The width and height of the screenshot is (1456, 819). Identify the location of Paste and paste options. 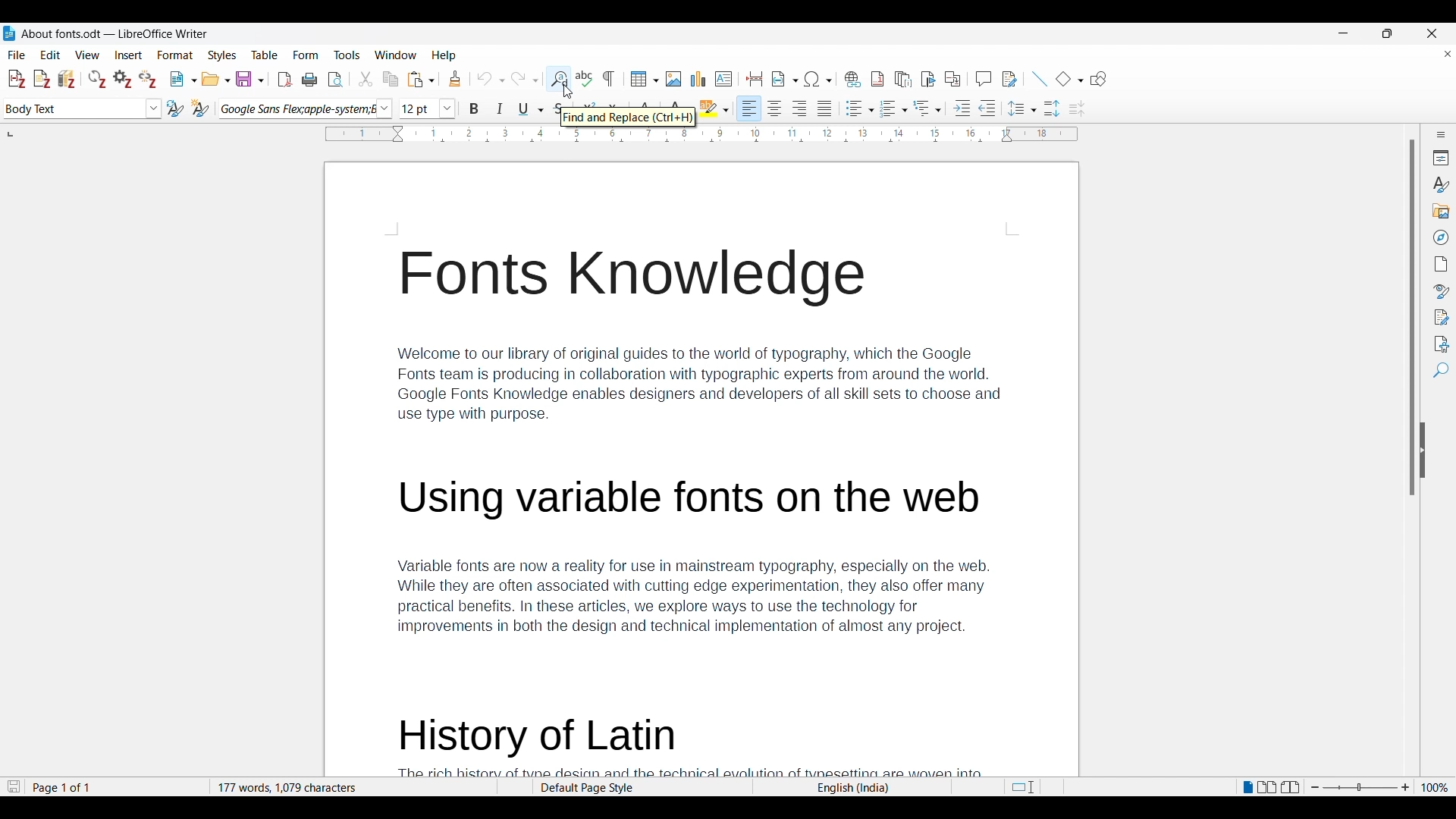
(422, 80).